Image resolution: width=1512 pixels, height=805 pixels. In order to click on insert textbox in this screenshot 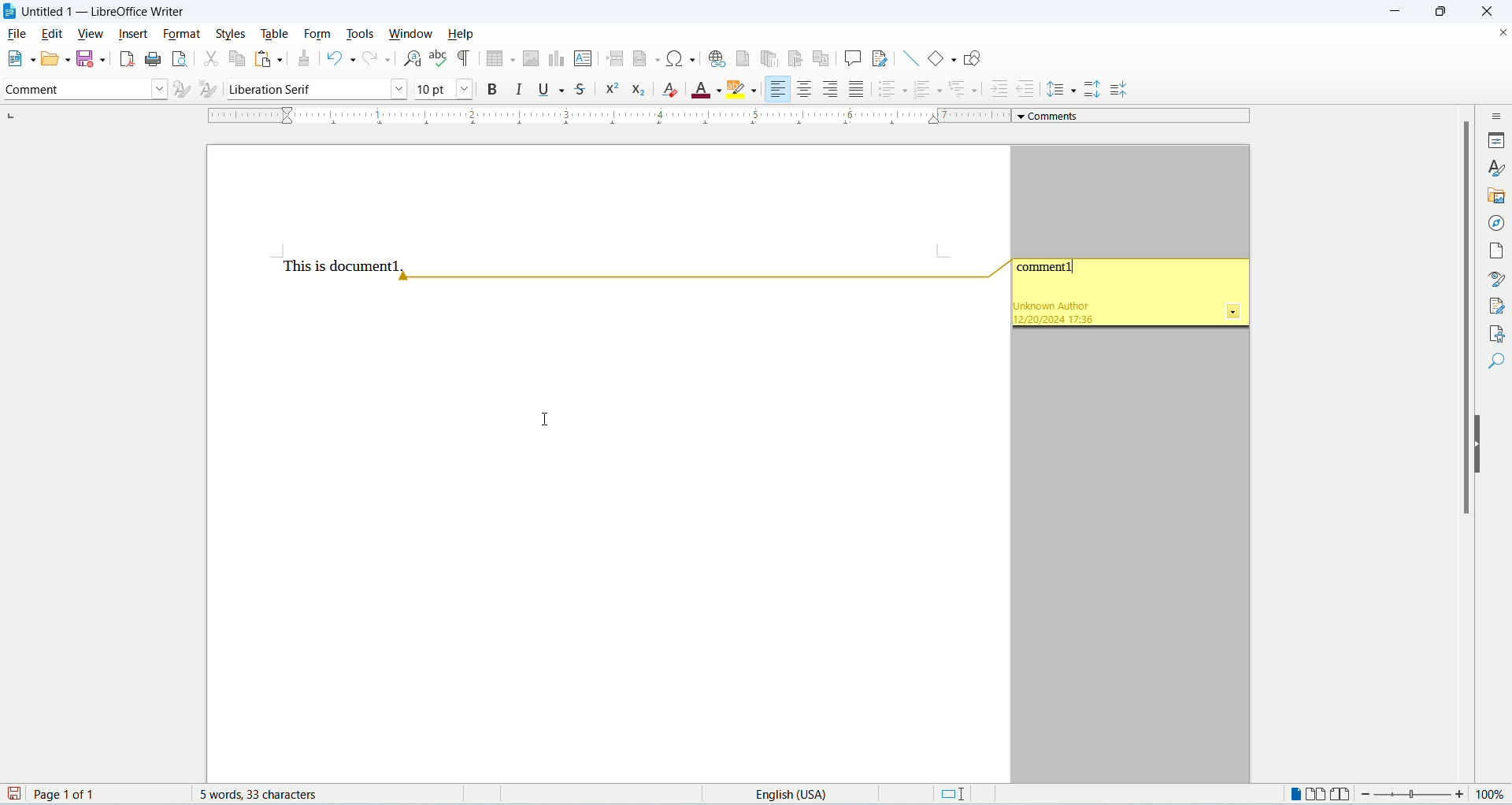, I will do `click(584, 58)`.